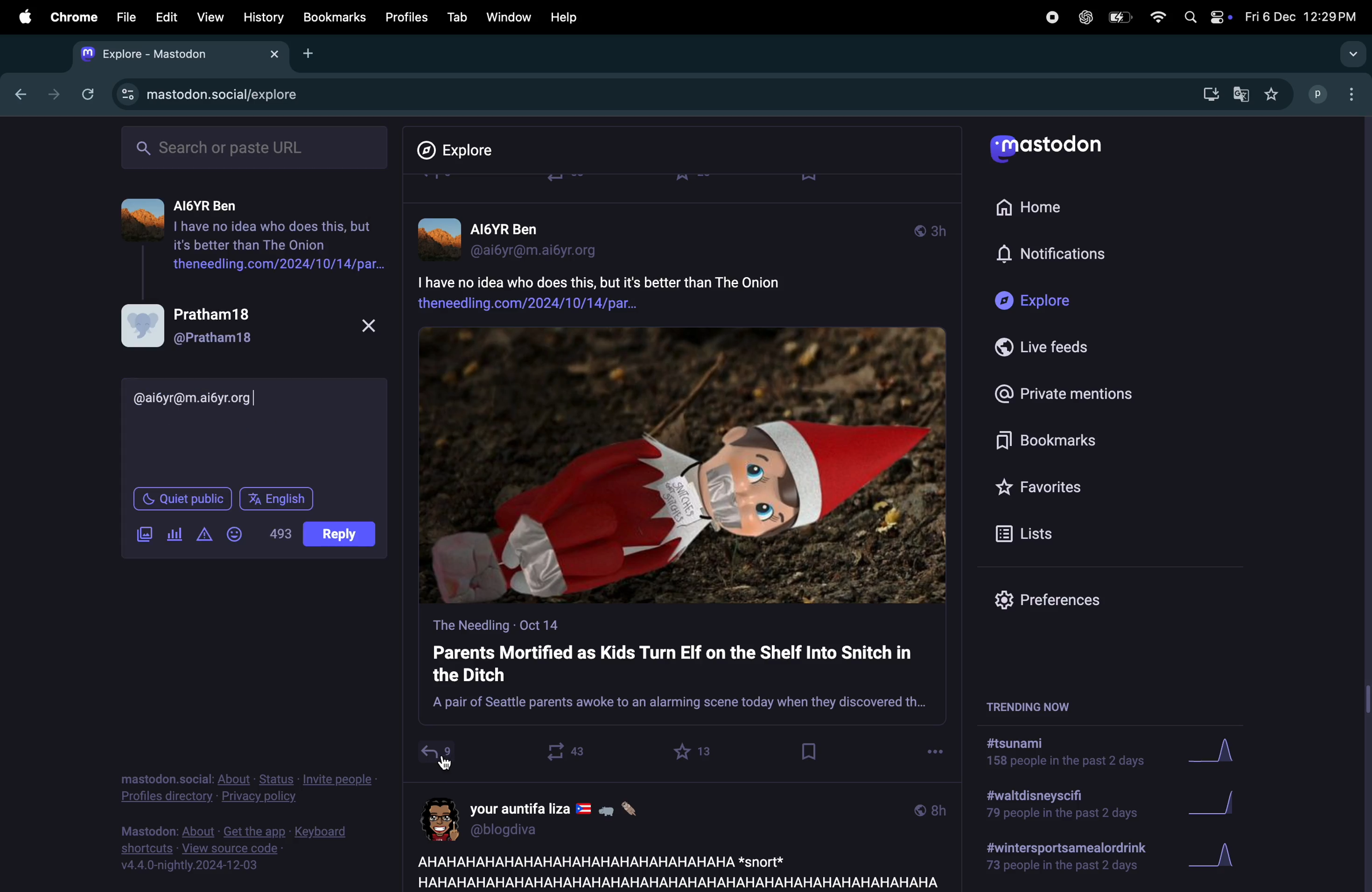 The height and width of the screenshot is (892, 1372). I want to click on trending now, so click(1042, 705).